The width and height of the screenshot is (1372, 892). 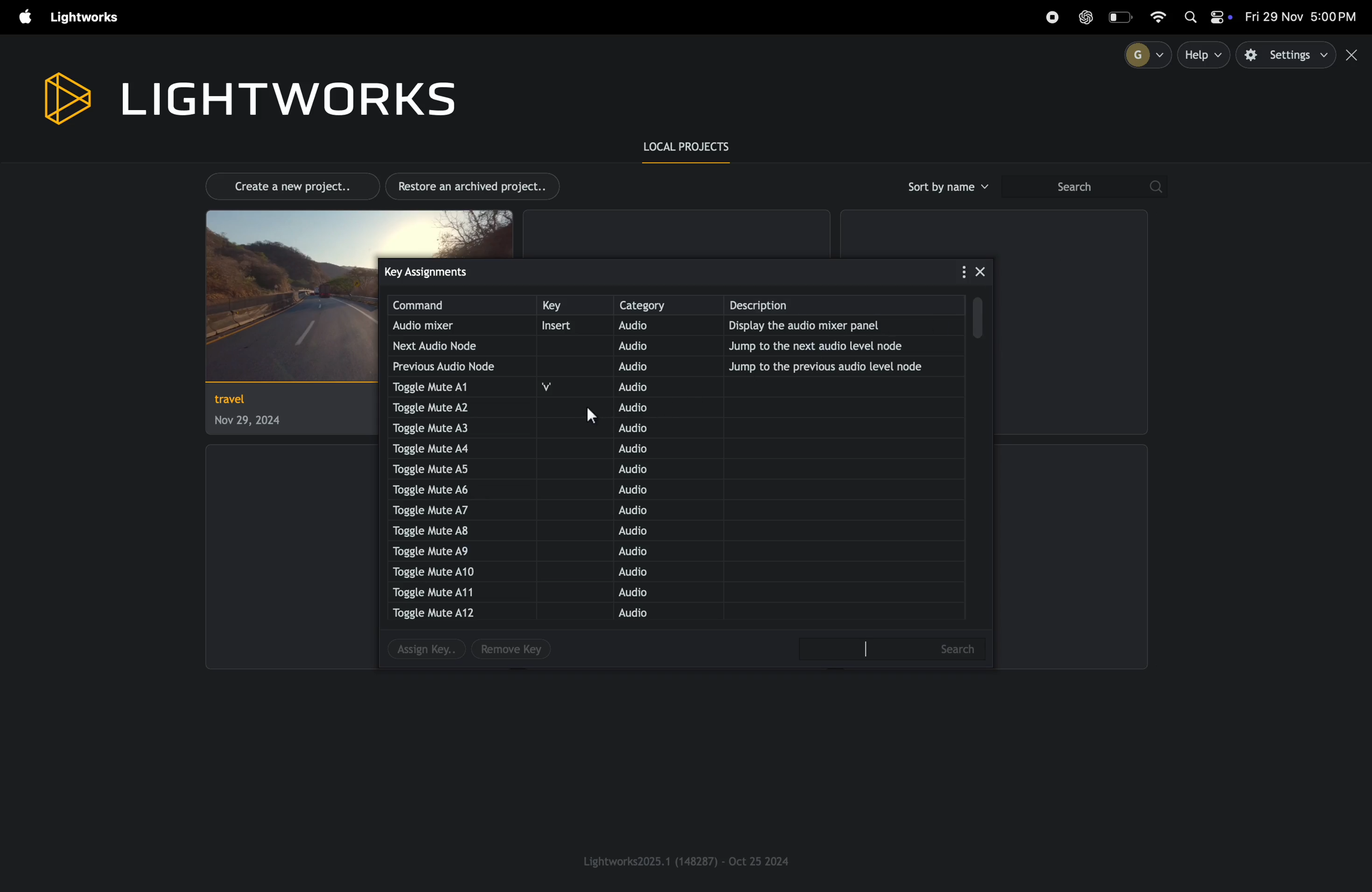 What do you see at coordinates (512, 650) in the screenshot?
I see `remove key` at bounding box center [512, 650].